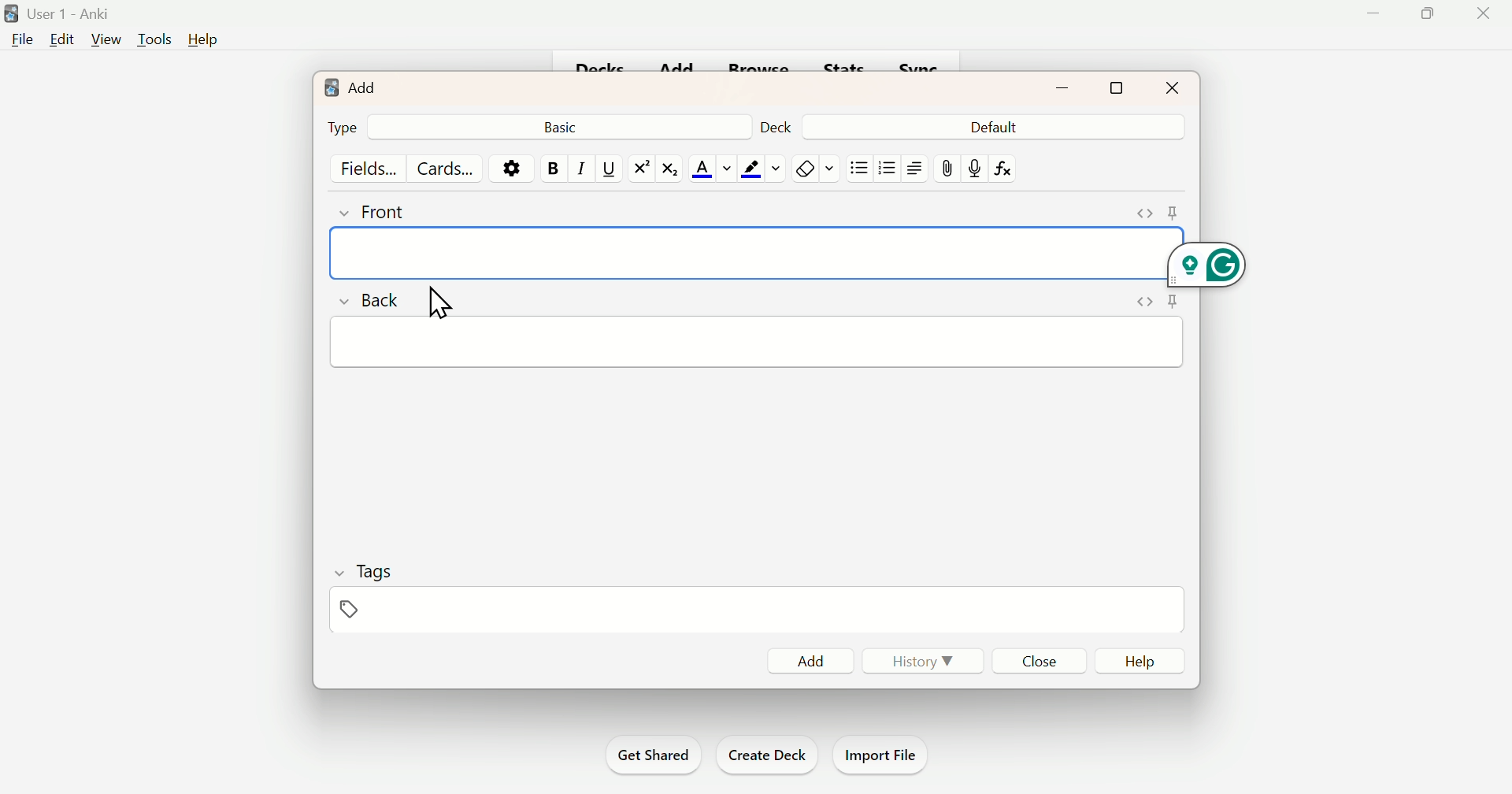 The width and height of the screenshot is (1512, 794). What do you see at coordinates (1062, 88) in the screenshot?
I see `minimize` at bounding box center [1062, 88].